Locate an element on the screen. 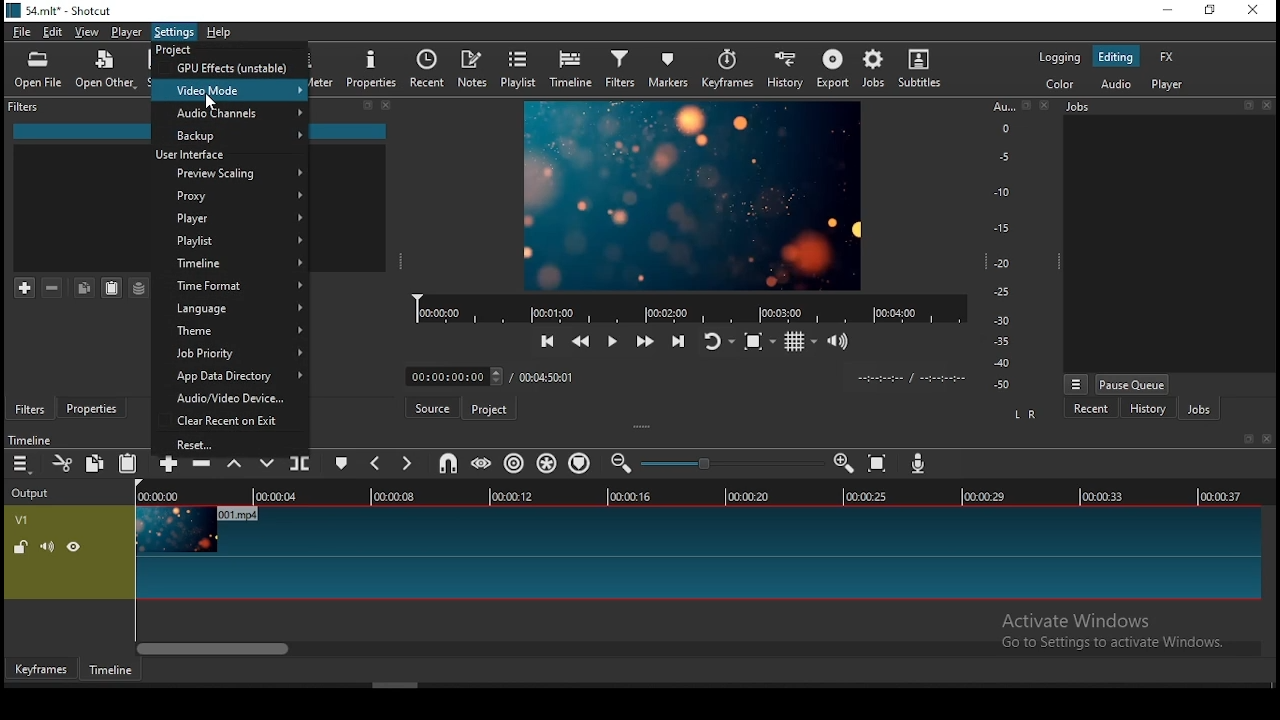 The width and height of the screenshot is (1280, 720). color is located at coordinates (1059, 83).